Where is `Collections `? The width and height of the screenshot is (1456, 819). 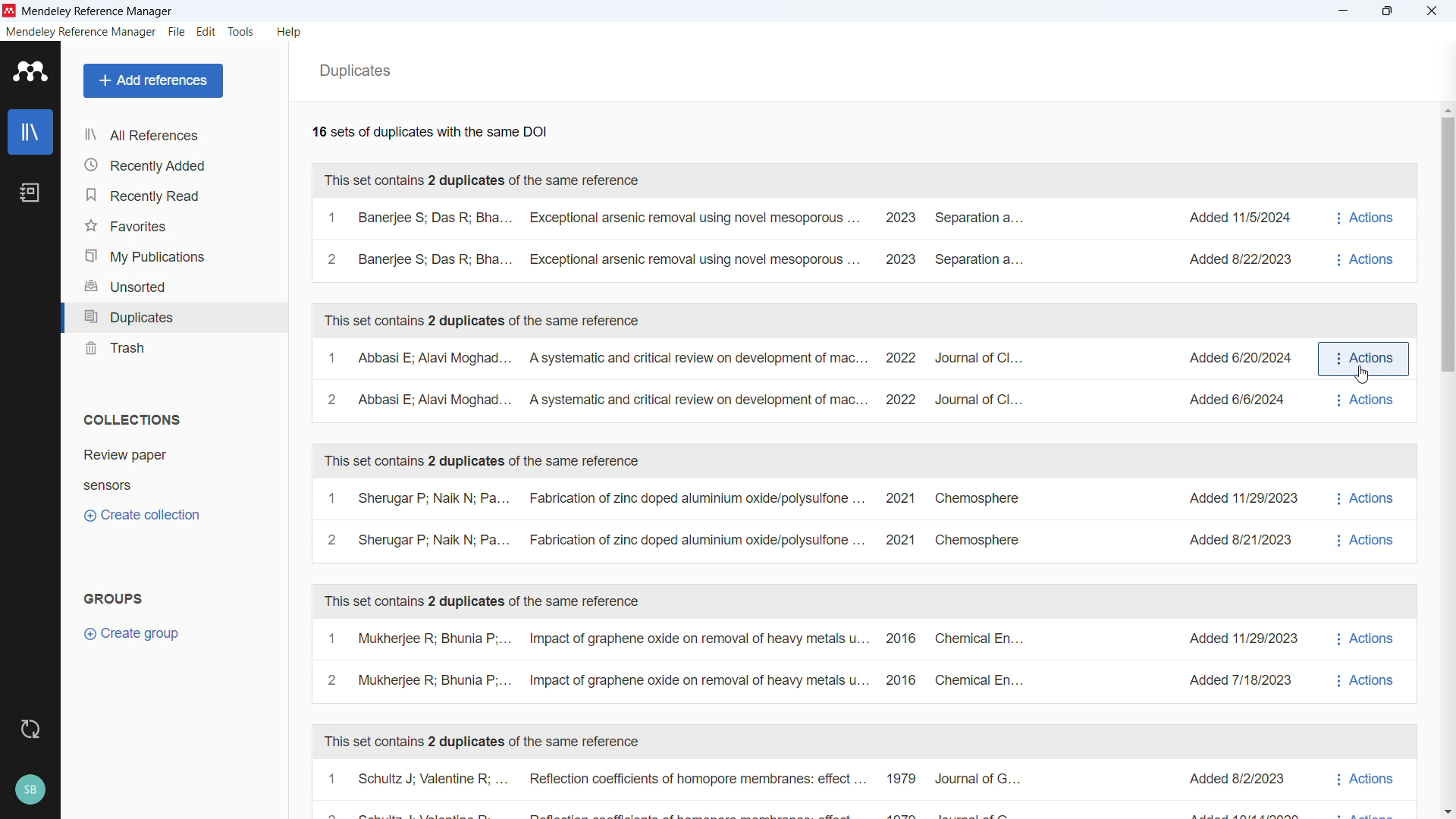
Collections  is located at coordinates (130, 420).